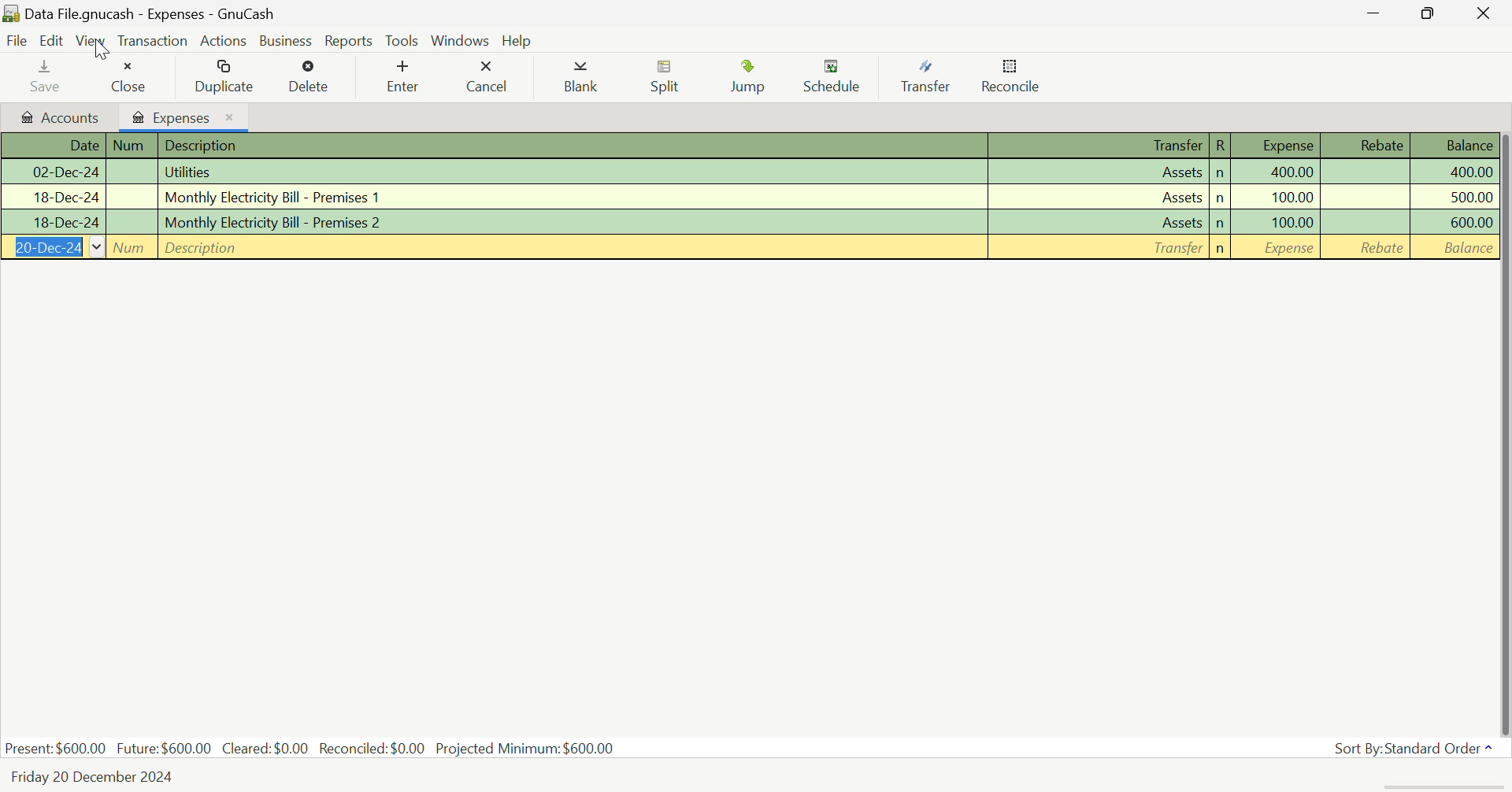  I want to click on Save, so click(47, 77).